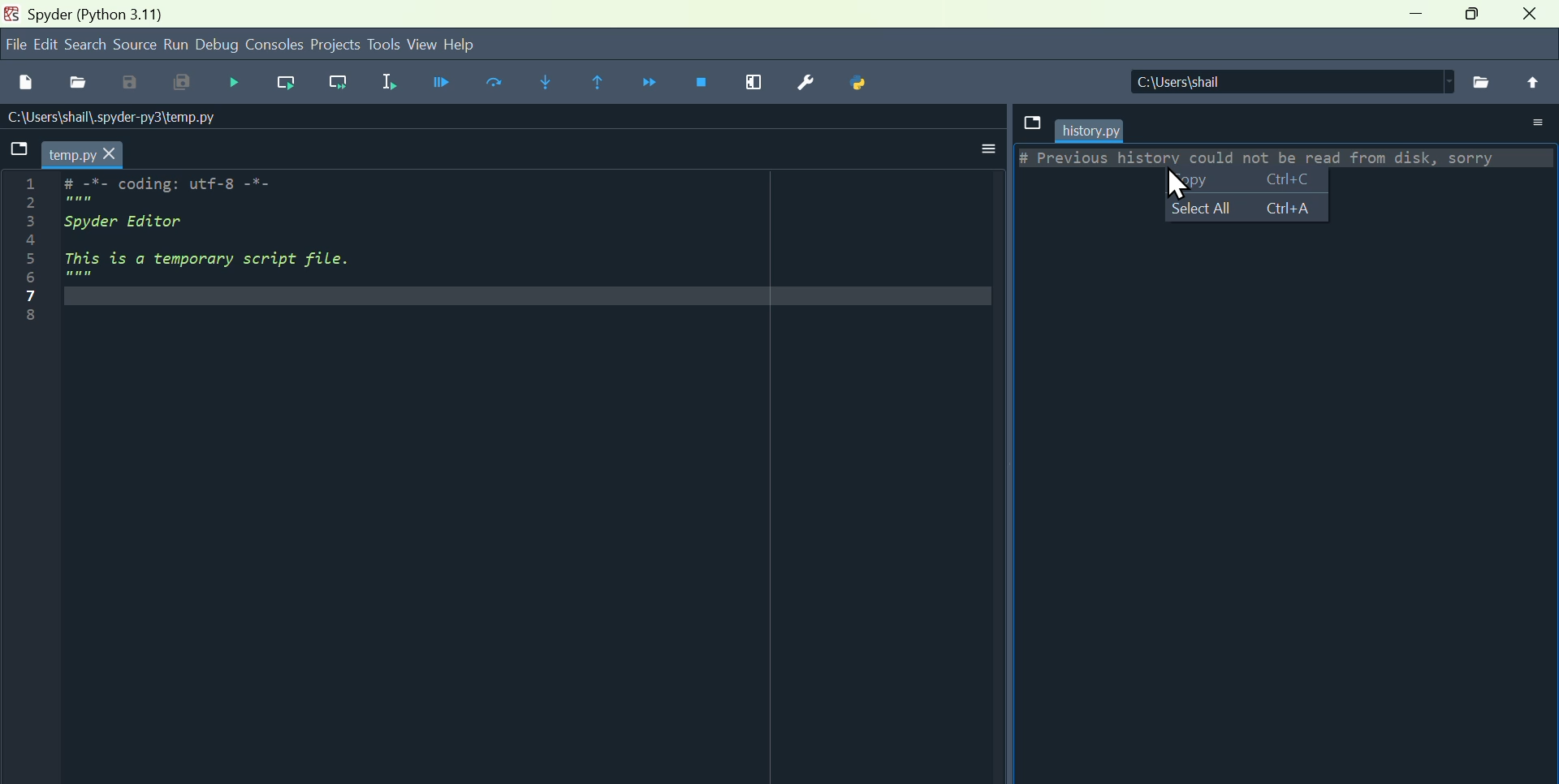 The height and width of the screenshot is (784, 1559). What do you see at coordinates (175, 45) in the screenshot?
I see `Run` at bounding box center [175, 45].